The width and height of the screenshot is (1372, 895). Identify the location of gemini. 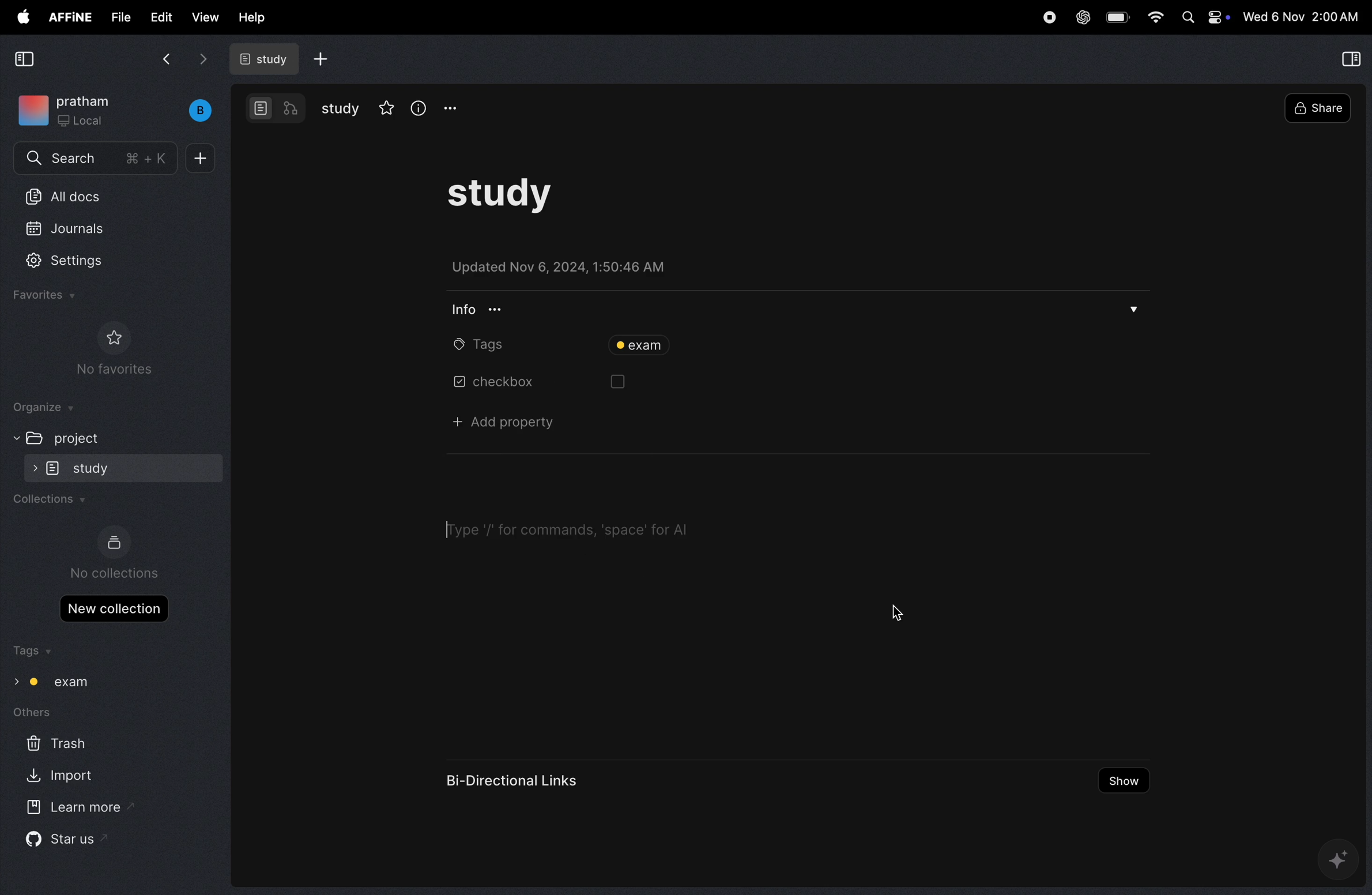
(1340, 859).